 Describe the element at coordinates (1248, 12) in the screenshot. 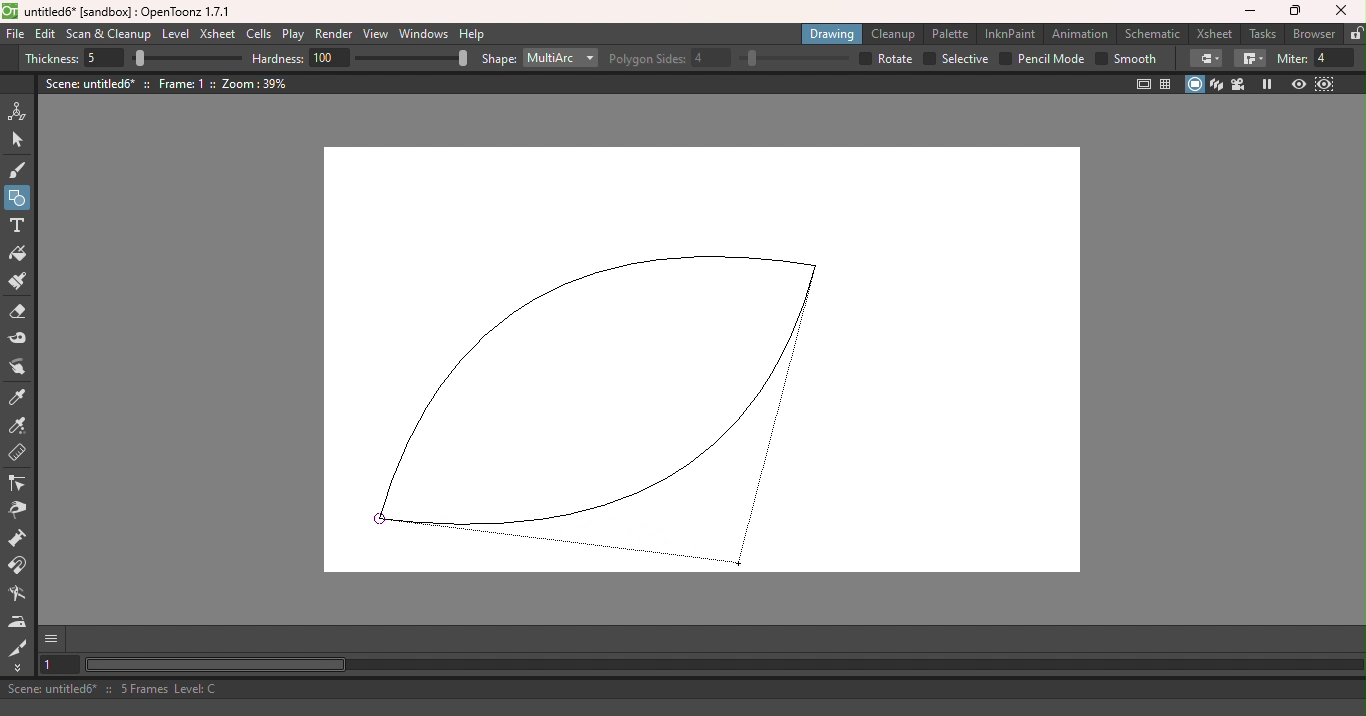

I see `Minimize` at that location.